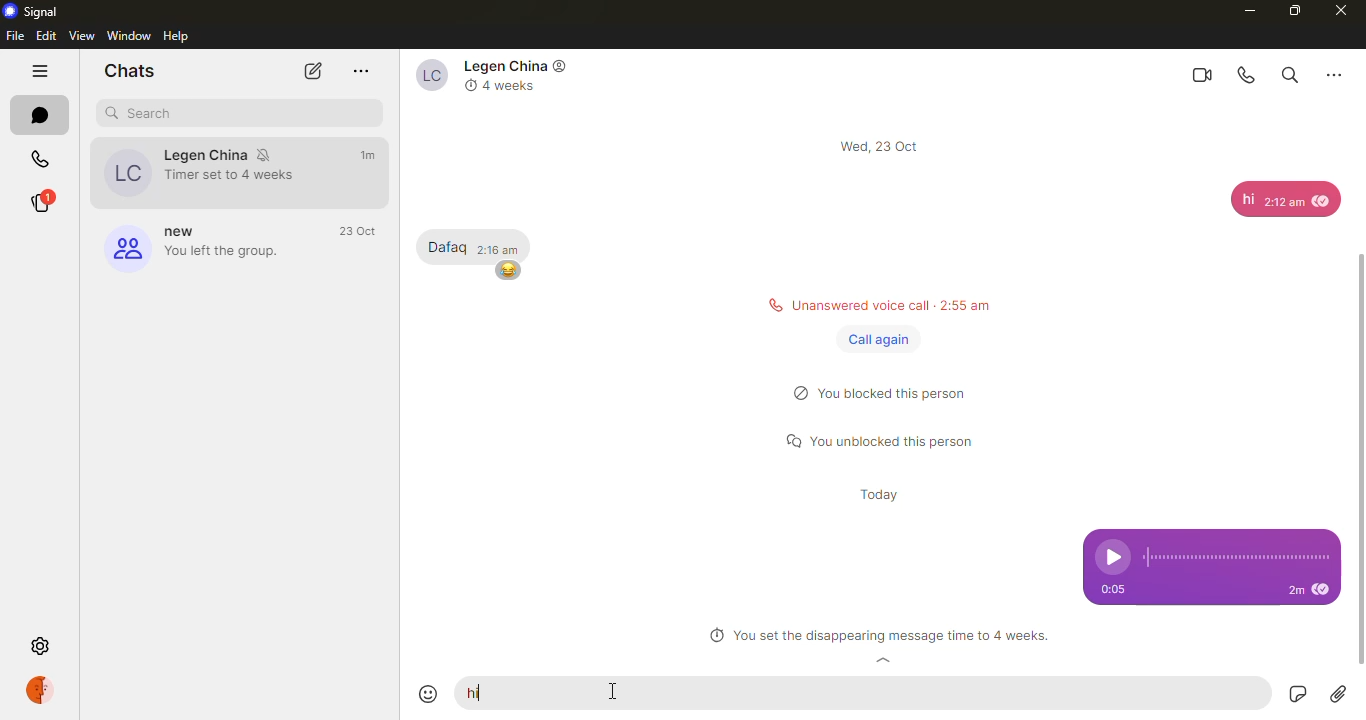  What do you see at coordinates (361, 232) in the screenshot?
I see `23 oct` at bounding box center [361, 232].